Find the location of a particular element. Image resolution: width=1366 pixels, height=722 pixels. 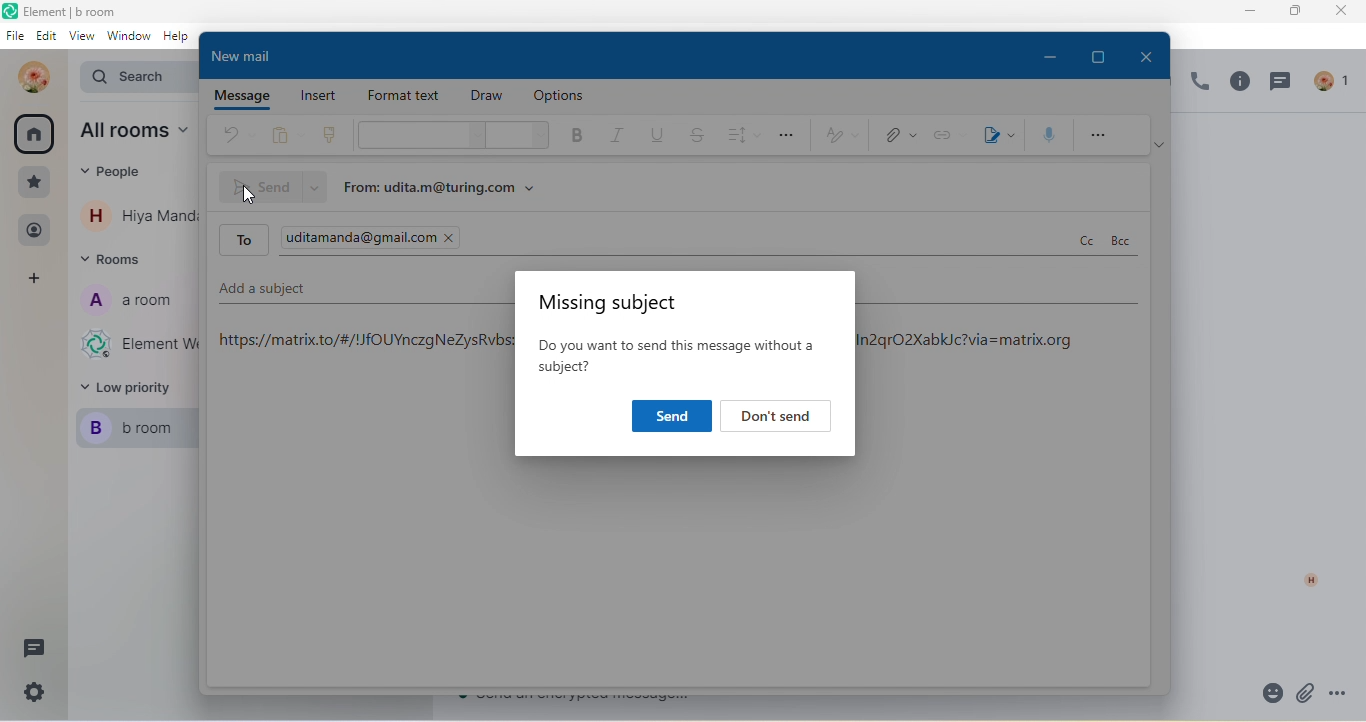

insertion cursor is located at coordinates (251, 199).